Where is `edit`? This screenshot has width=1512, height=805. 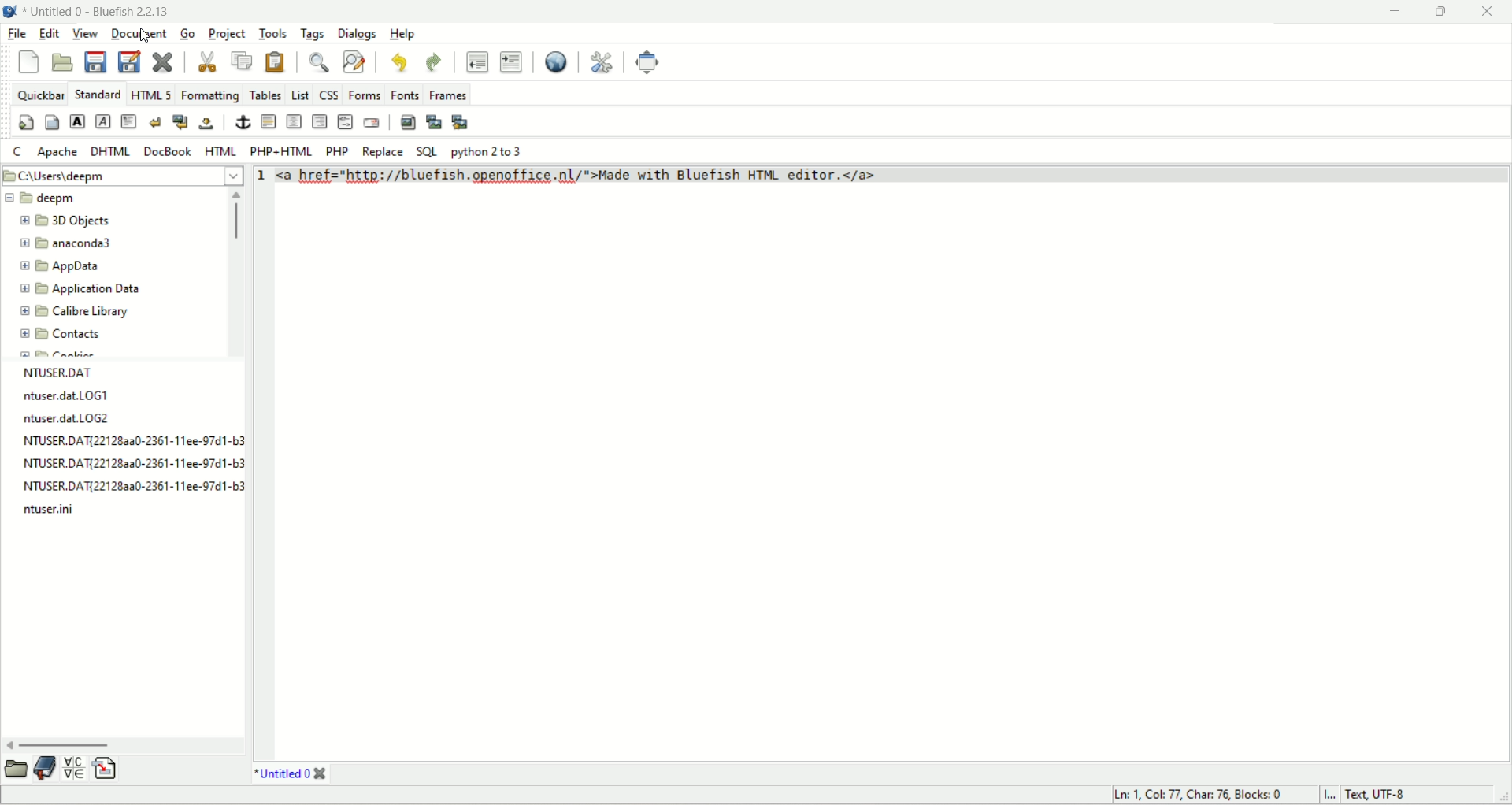
edit is located at coordinates (51, 33).